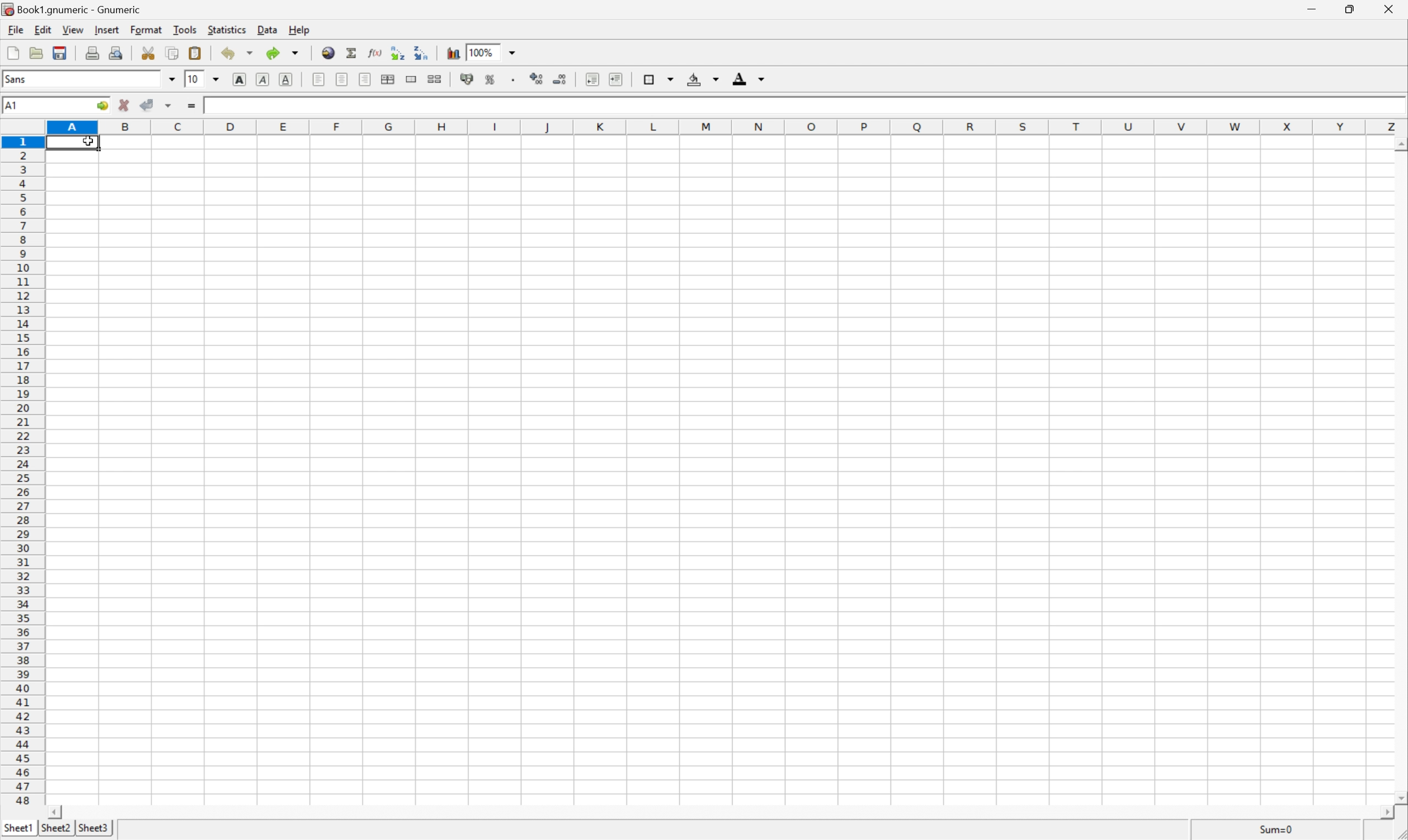 The width and height of the screenshot is (1408, 840). What do you see at coordinates (236, 53) in the screenshot?
I see `undo` at bounding box center [236, 53].